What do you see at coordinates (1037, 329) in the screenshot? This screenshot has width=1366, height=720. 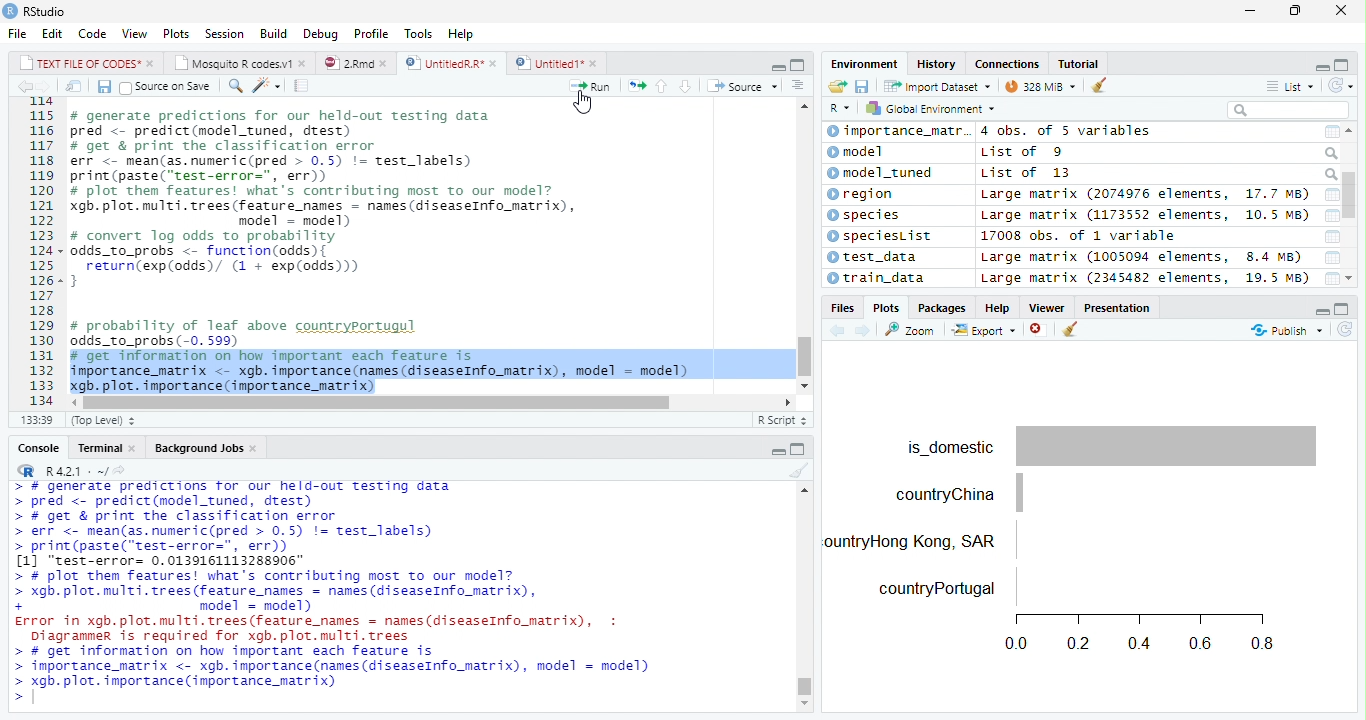 I see `Delete` at bounding box center [1037, 329].